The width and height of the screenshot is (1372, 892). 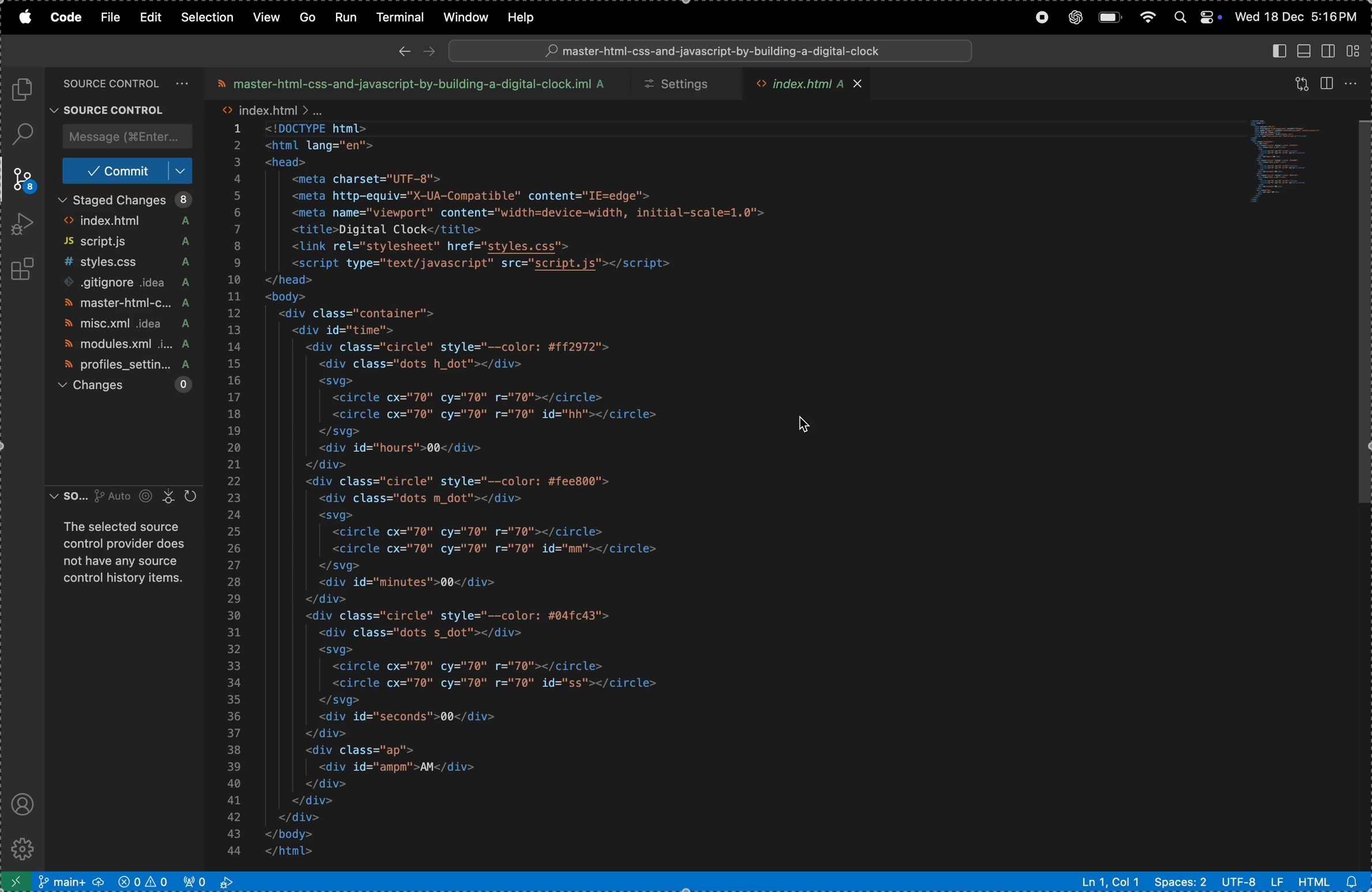 I want to click on <circle cx="70" cy="70" r="70"></circle>, so click(x=468, y=398).